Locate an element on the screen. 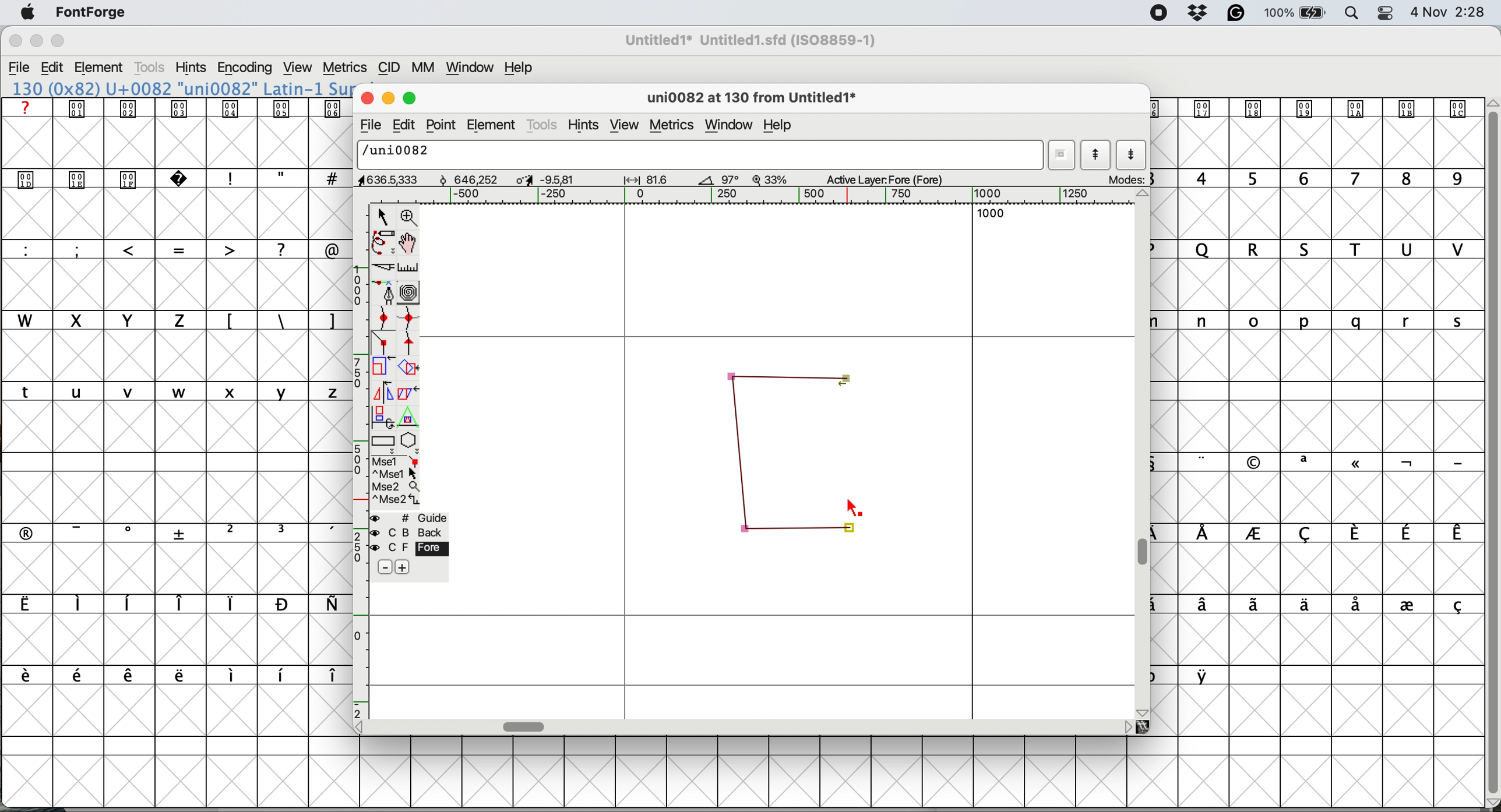 The height and width of the screenshot is (812, 1501). element is located at coordinates (100, 69).